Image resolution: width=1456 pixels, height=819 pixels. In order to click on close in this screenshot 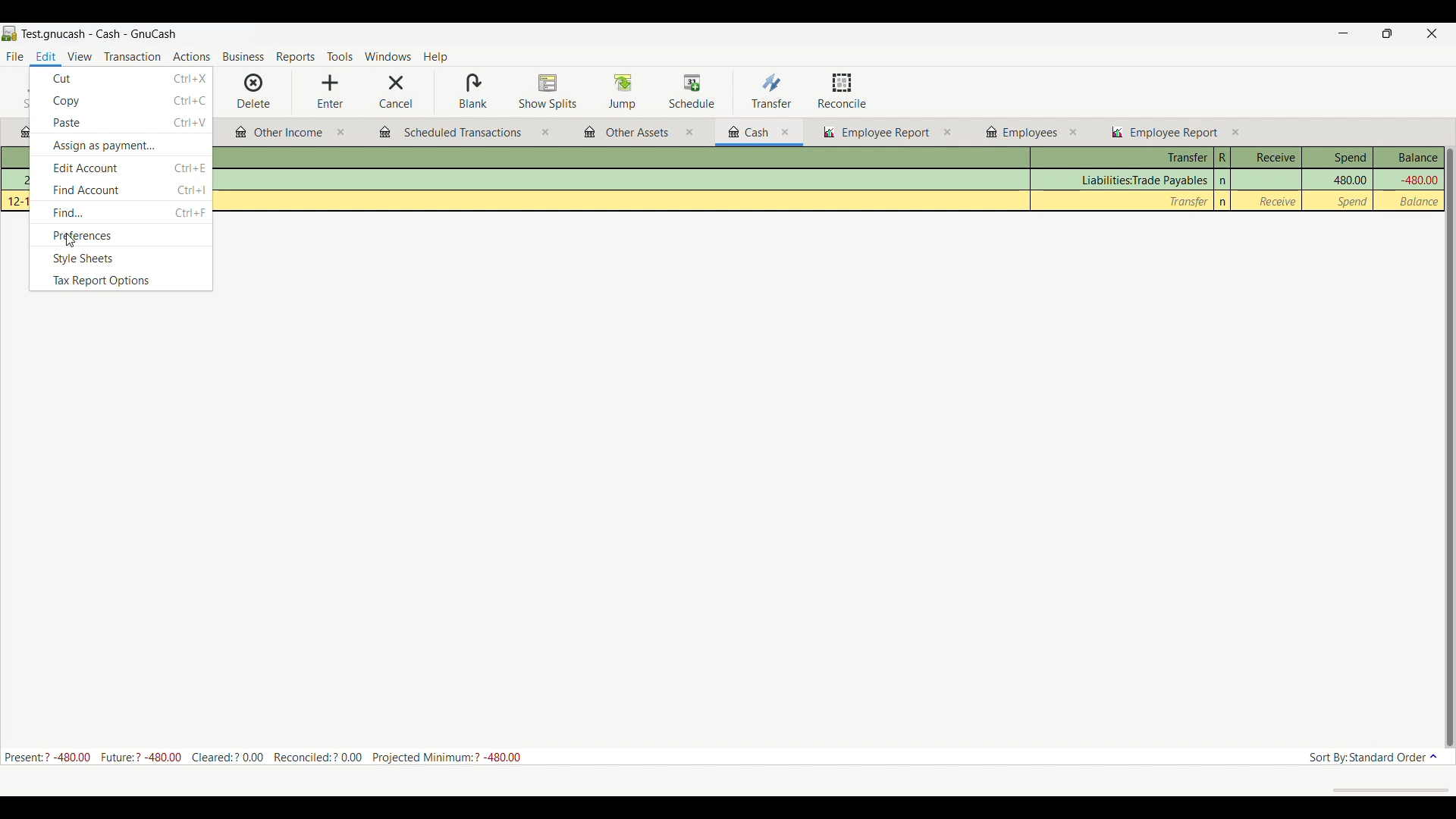, I will do `click(544, 130)`.